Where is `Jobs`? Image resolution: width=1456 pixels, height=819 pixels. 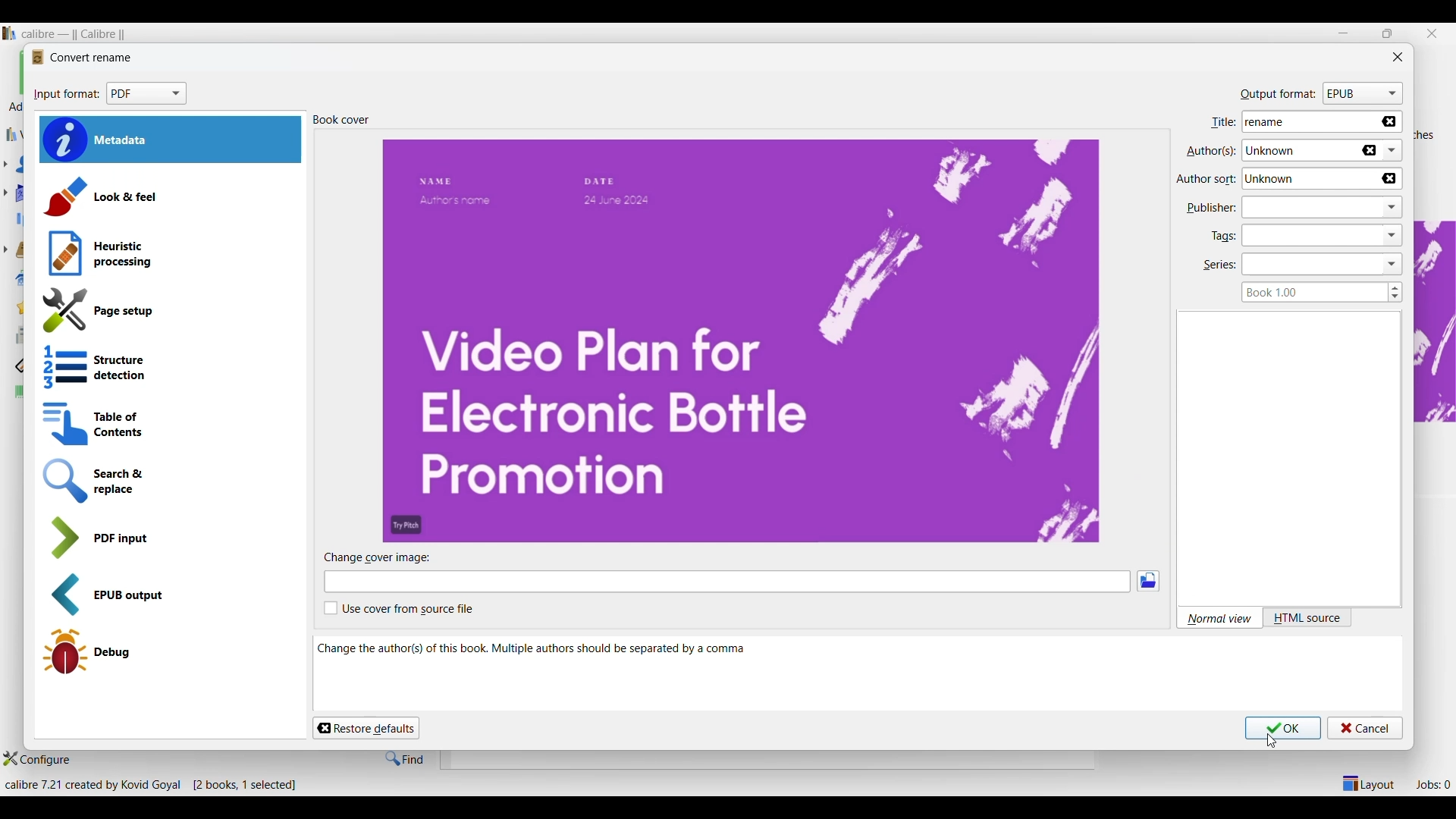 Jobs is located at coordinates (1432, 784).